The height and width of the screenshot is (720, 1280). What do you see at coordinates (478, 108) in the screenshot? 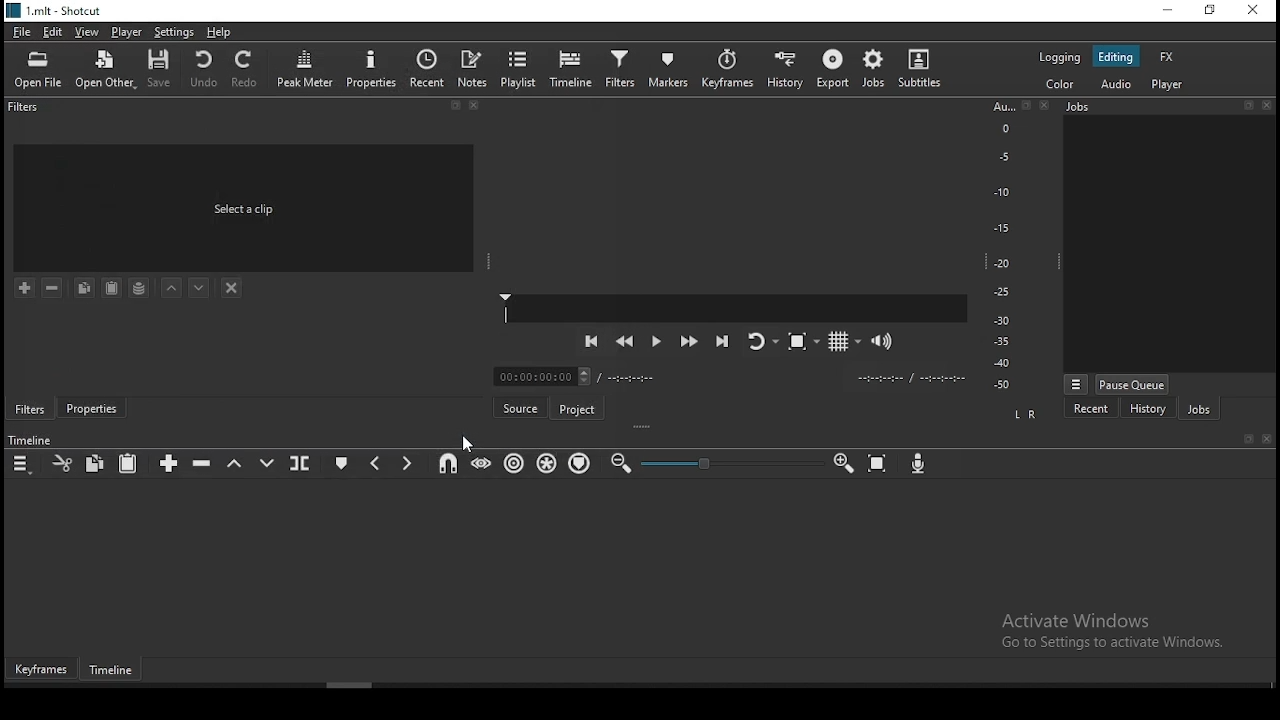
I see `close` at bounding box center [478, 108].